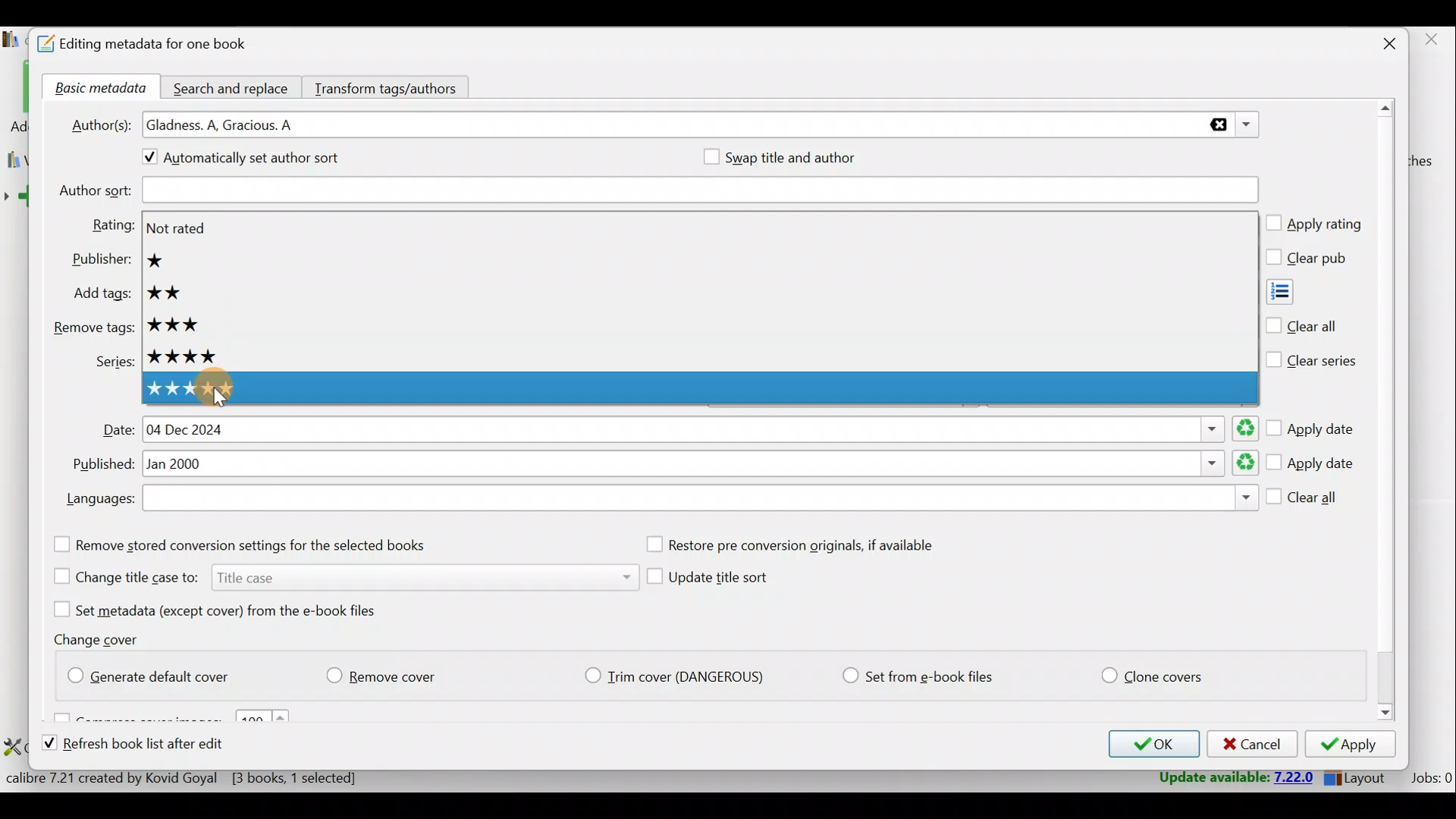  What do you see at coordinates (188, 325) in the screenshot?
I see `3 star rating` at bounding box center [188, 325].